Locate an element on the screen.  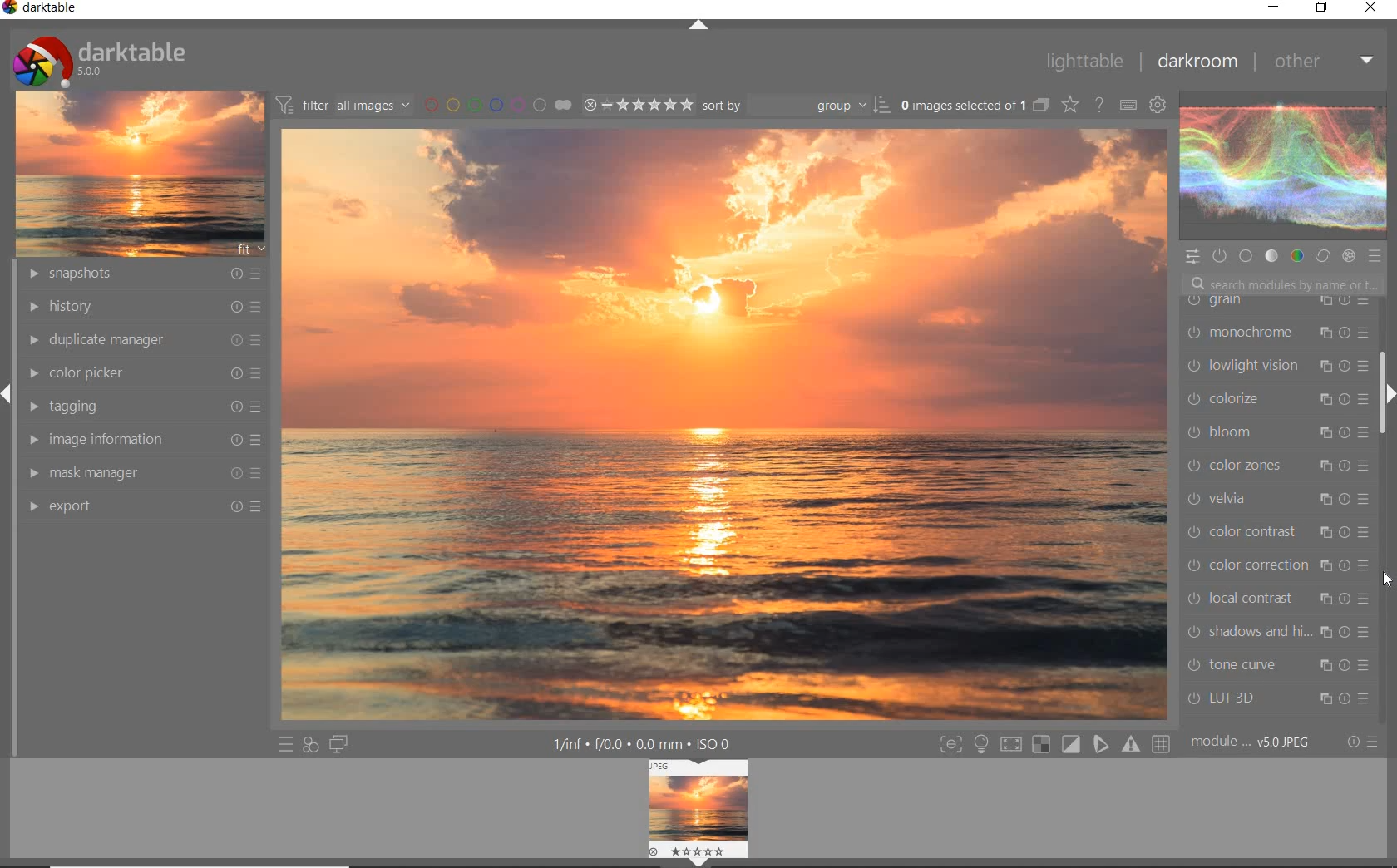
TONE  is located at coordinates (1271, 256).